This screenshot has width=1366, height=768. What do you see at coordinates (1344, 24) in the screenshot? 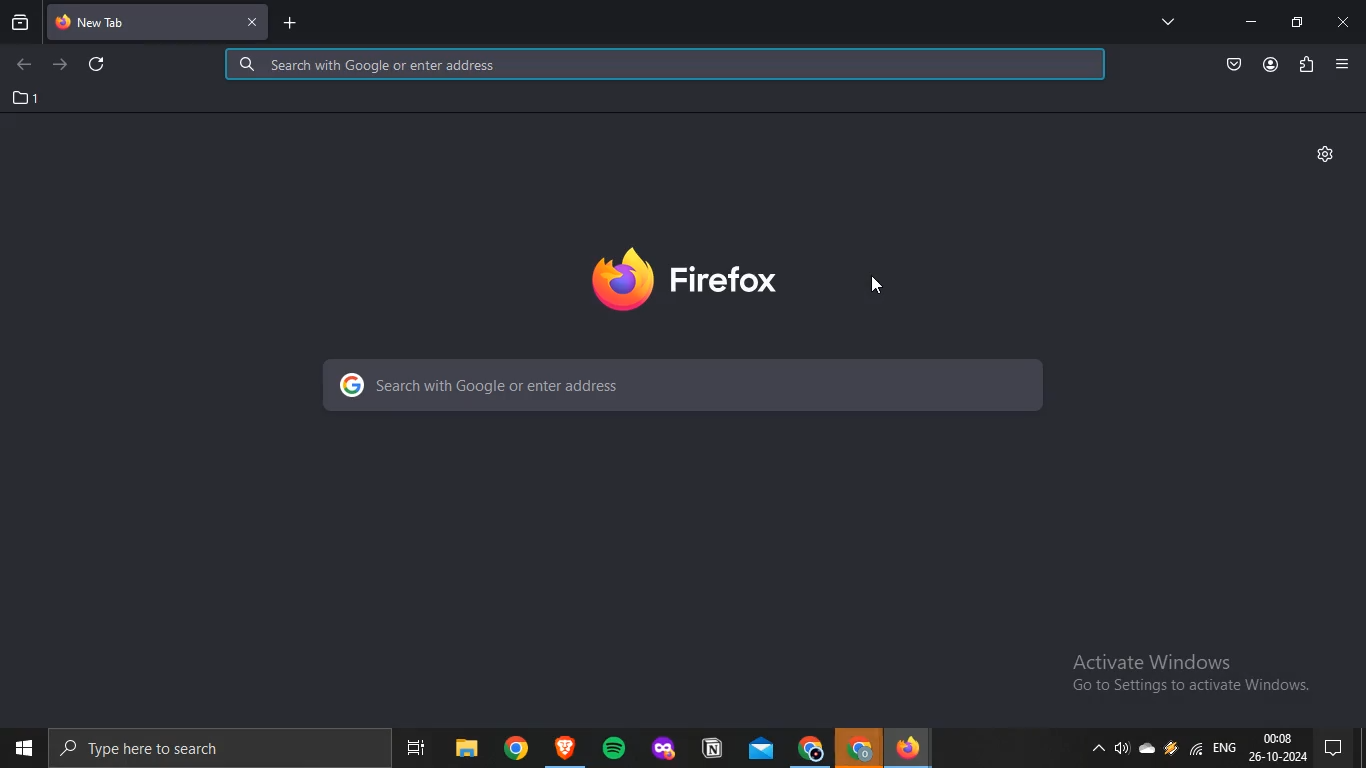
I see `close` at bounding box center [1344, 24].